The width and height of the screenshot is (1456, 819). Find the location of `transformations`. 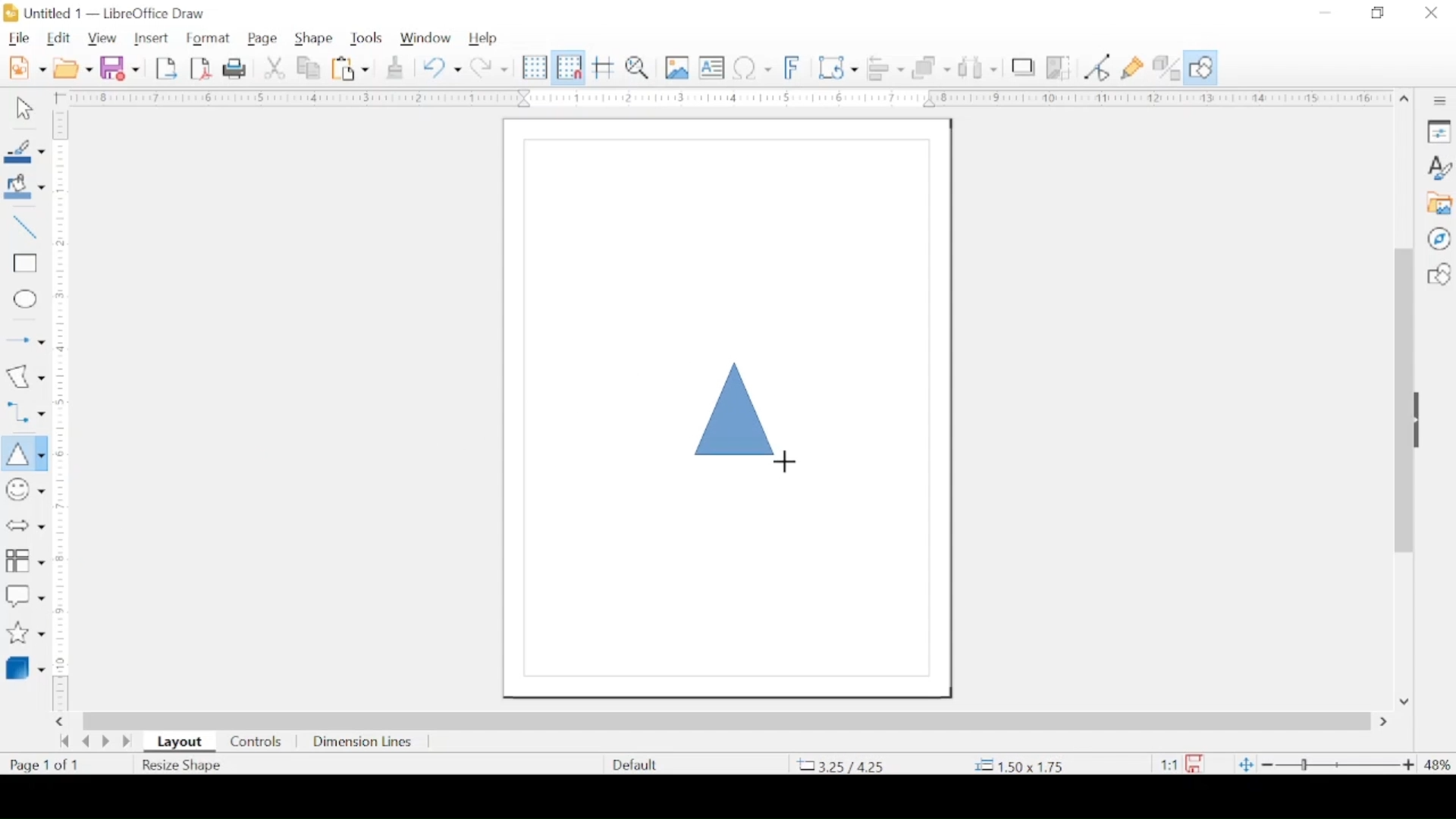

transformations is located at coordinates (838, 66).